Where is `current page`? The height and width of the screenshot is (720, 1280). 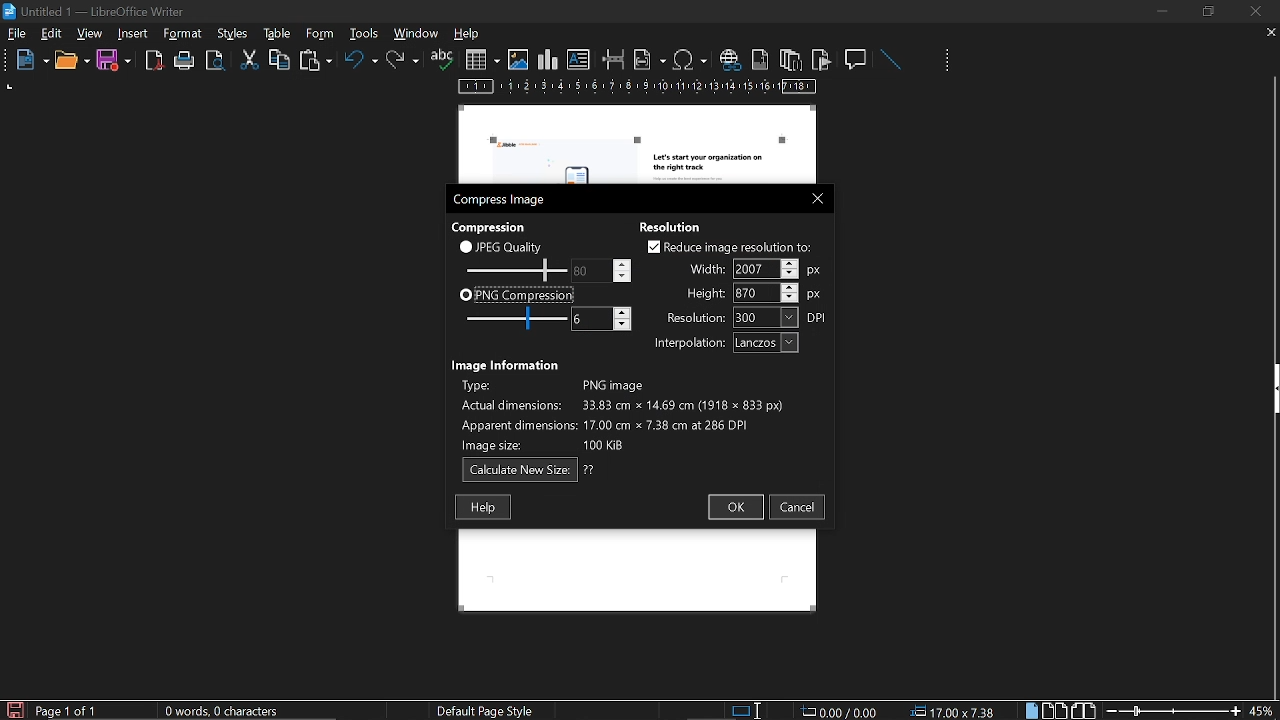
current page is located at coordinates (67, 711).